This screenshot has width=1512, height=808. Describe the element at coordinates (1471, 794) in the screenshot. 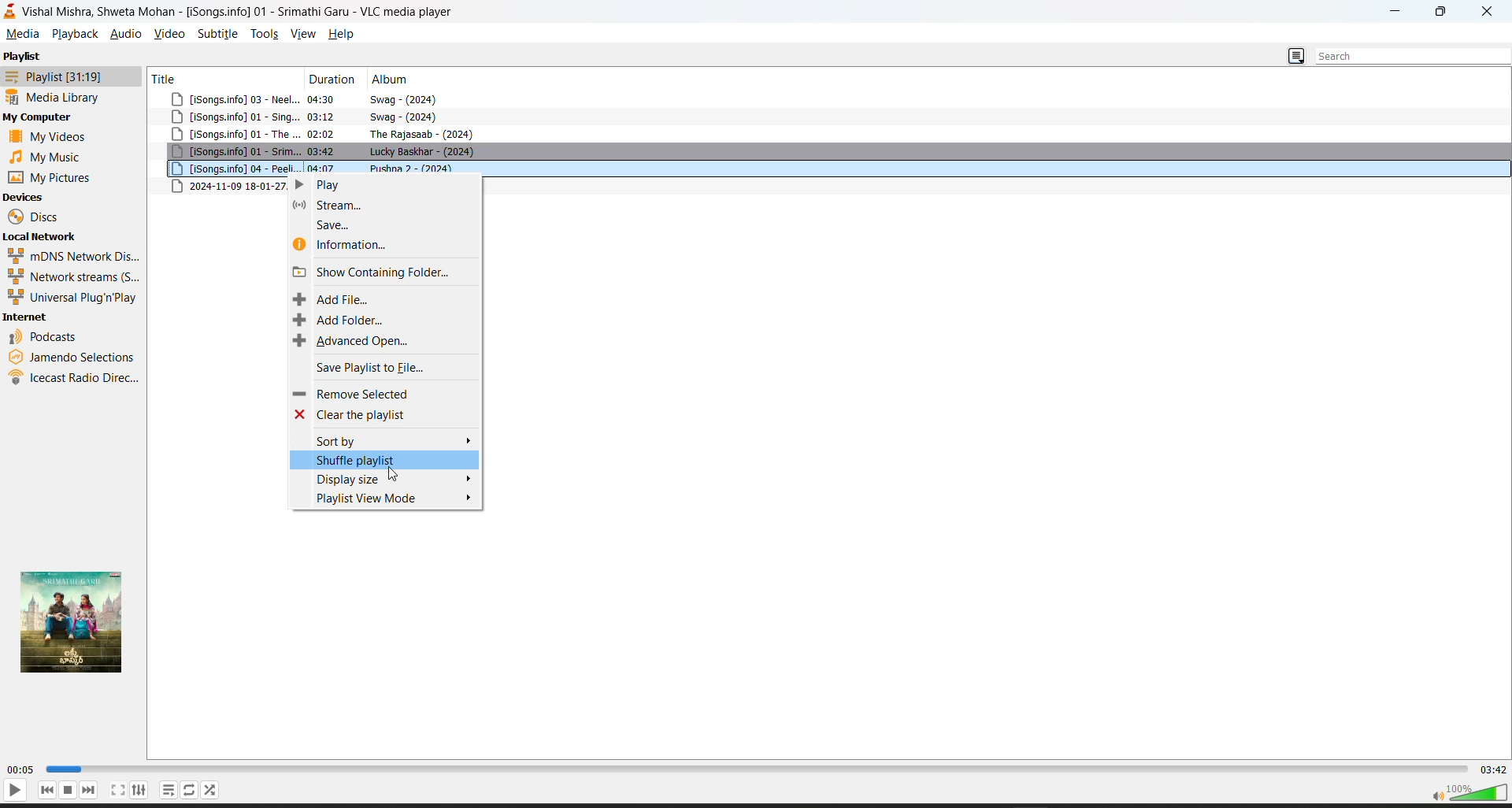

I see `volume` at that location.